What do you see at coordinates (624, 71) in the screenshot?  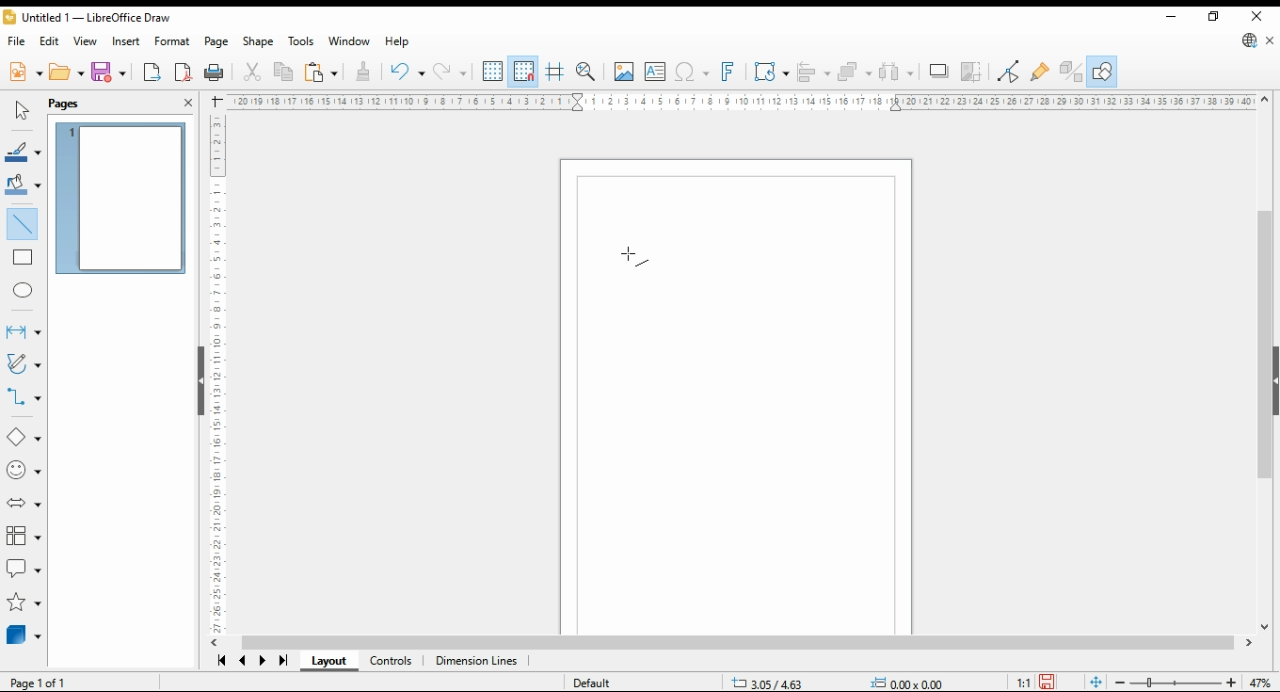 I see `insert image` at bounding box center [624, 71].